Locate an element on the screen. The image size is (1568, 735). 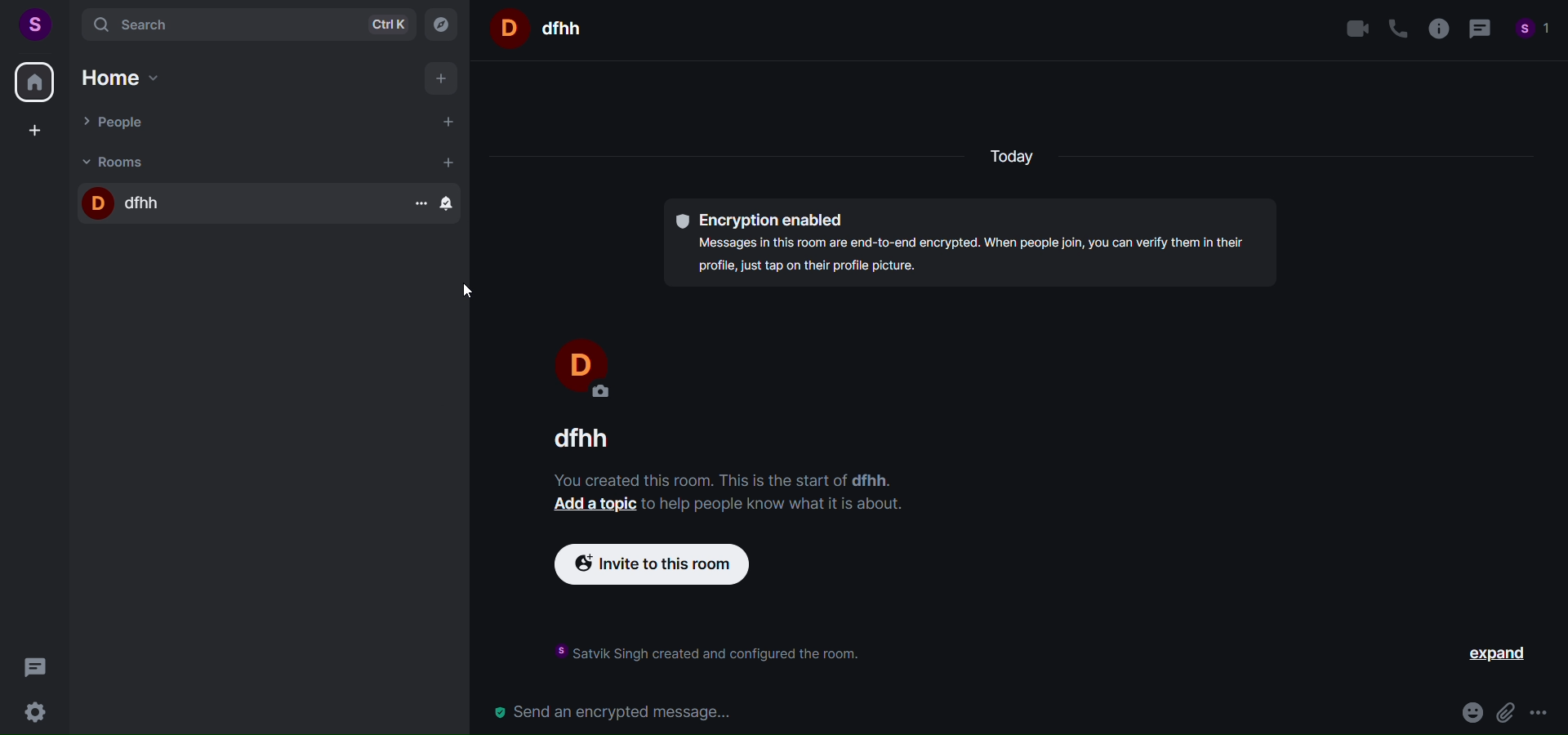
thread is located at coordinates (1481, 29).